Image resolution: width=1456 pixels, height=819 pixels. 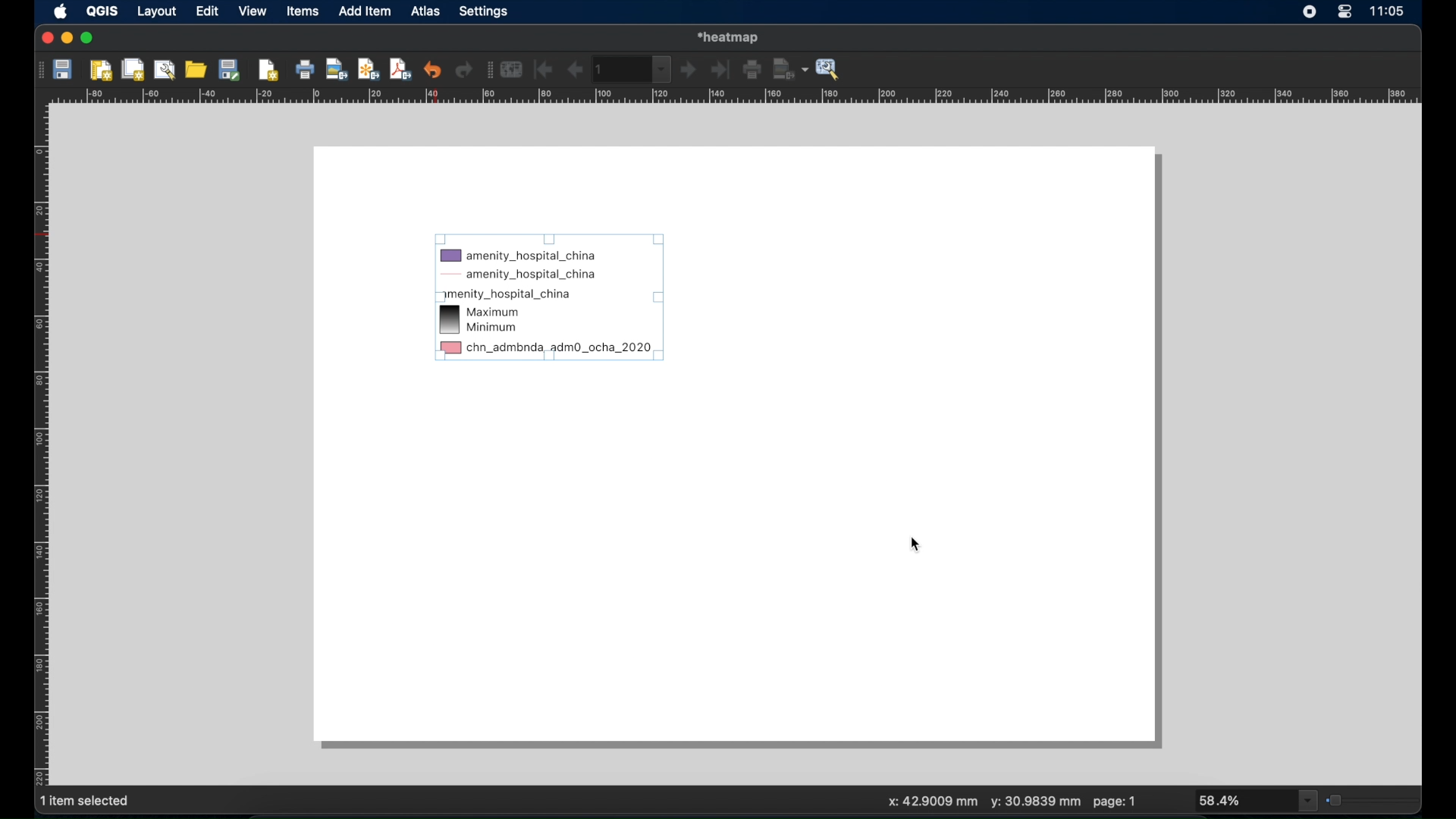 What do you see at coordinates (791, 68) in the screenshot?
I see `export atlas as image` at bounding box center [791, 68].